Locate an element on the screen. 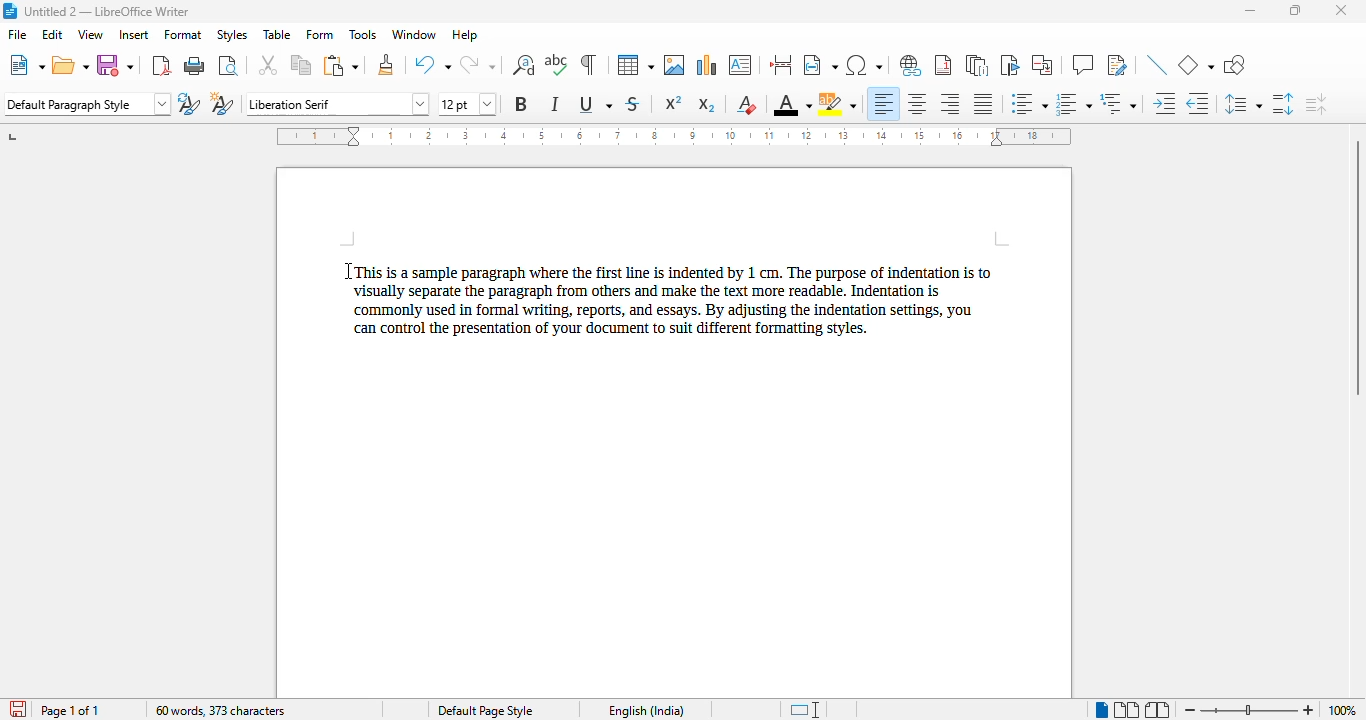 The width and height of the screenshot is (1366, 720). edit is located at coordinates (53, 34).